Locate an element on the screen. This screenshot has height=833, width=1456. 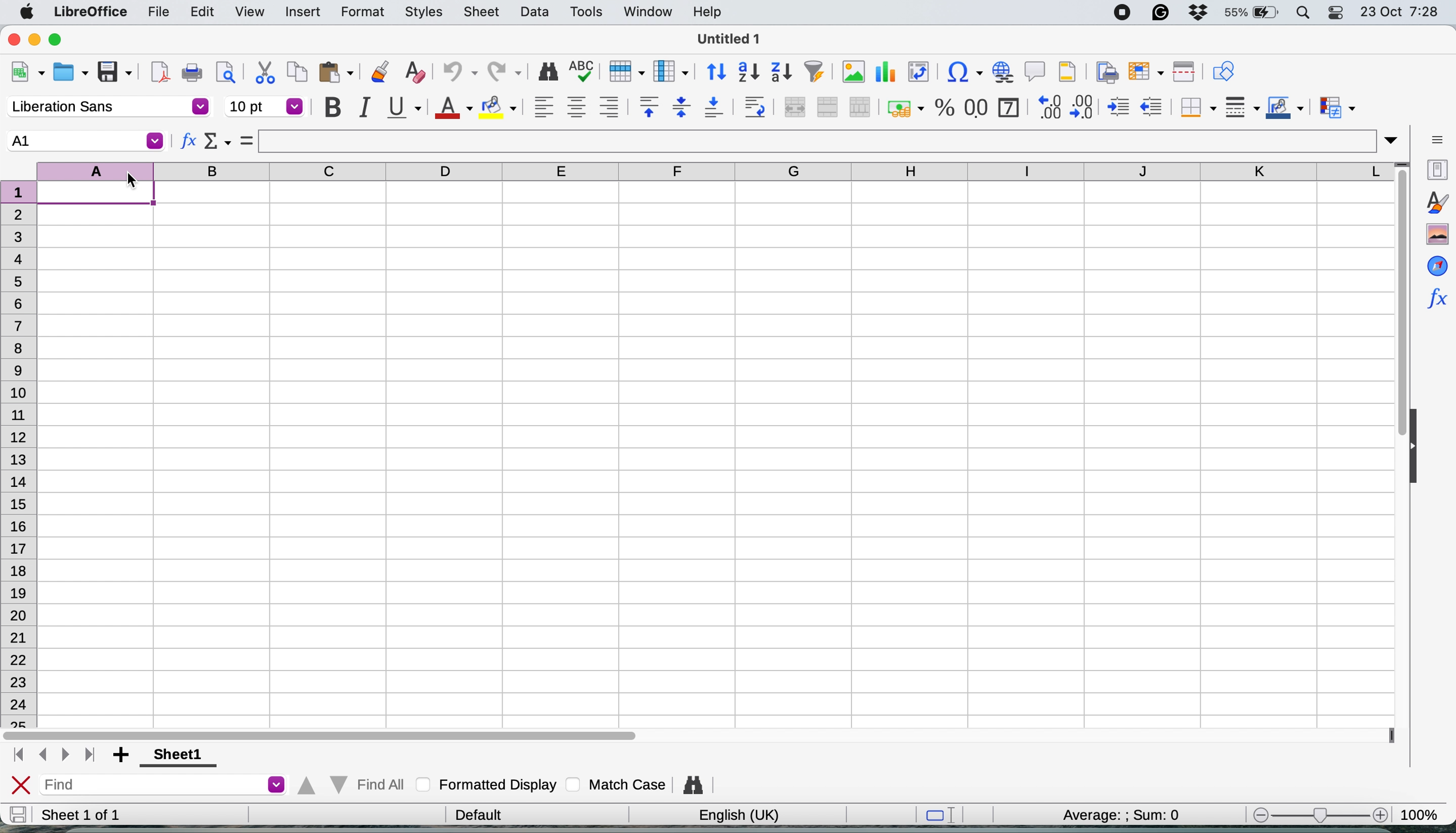
control center is located at coordinates (1334, 12).